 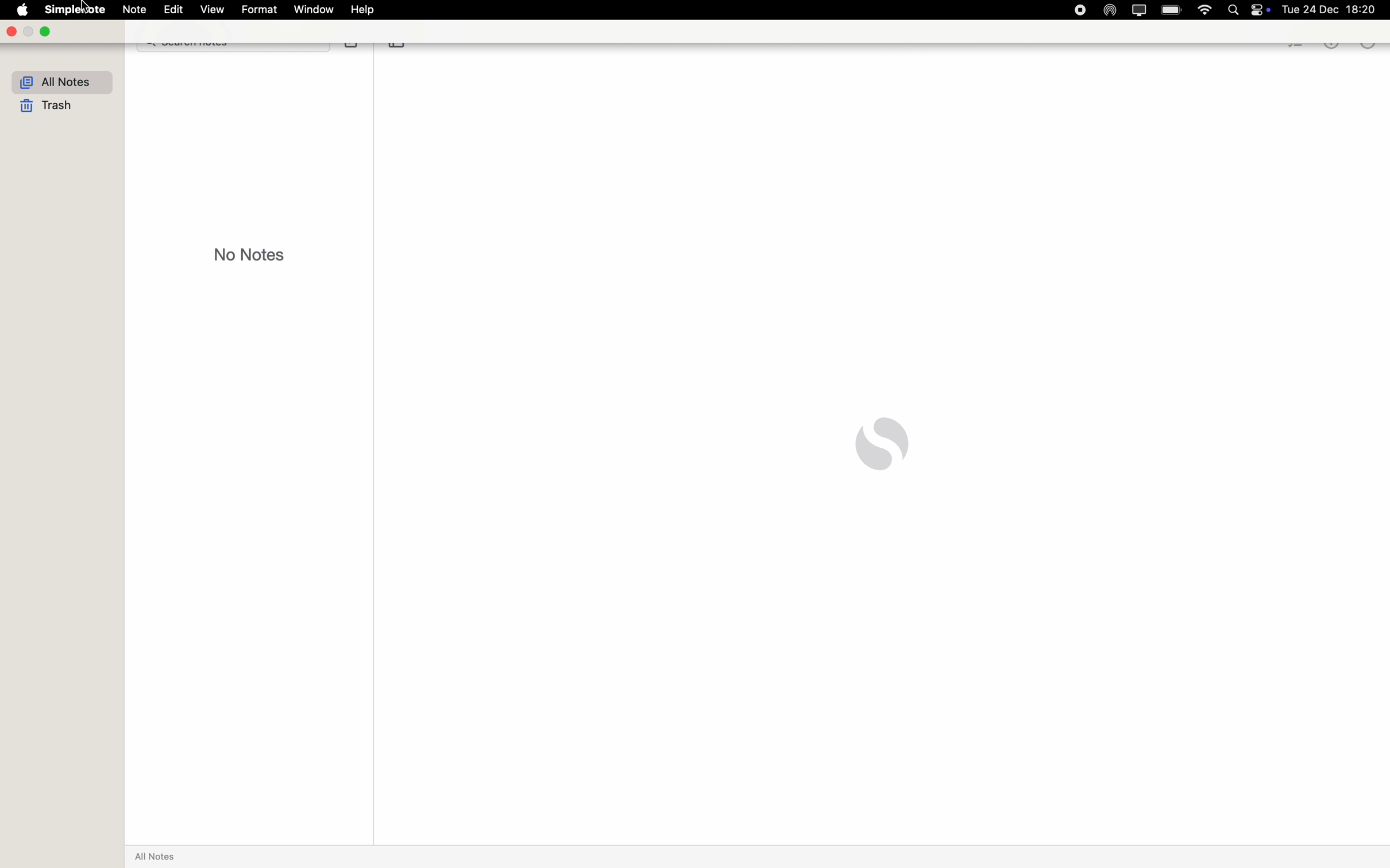 What do you see at coordinates (882, 444) in the screenshot?
I see `Simplenote logo` at bounding box center [882, 444].